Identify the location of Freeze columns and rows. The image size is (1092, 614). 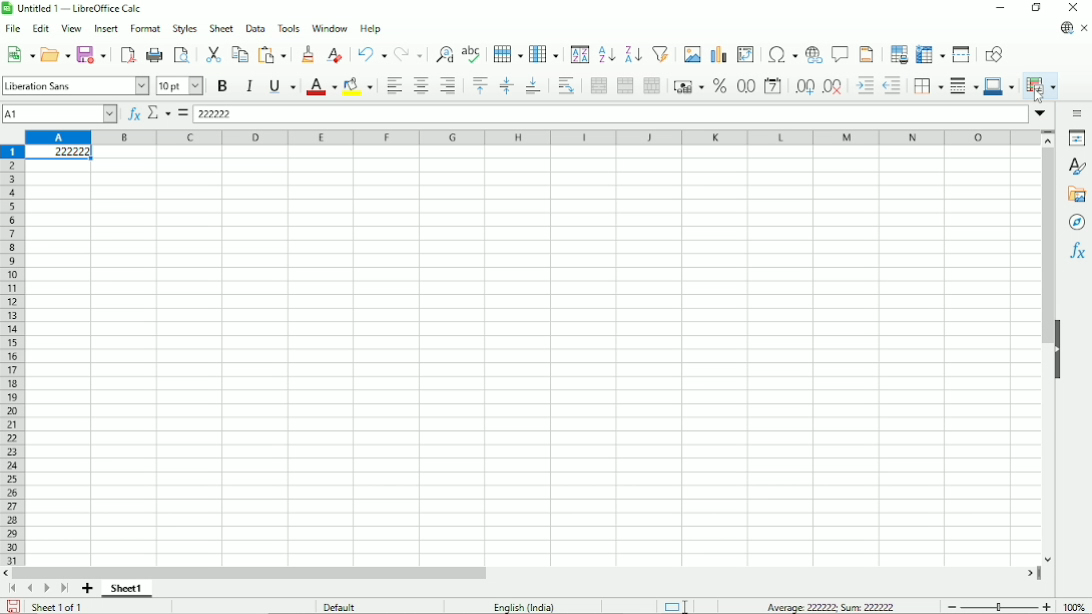
(931, 53).